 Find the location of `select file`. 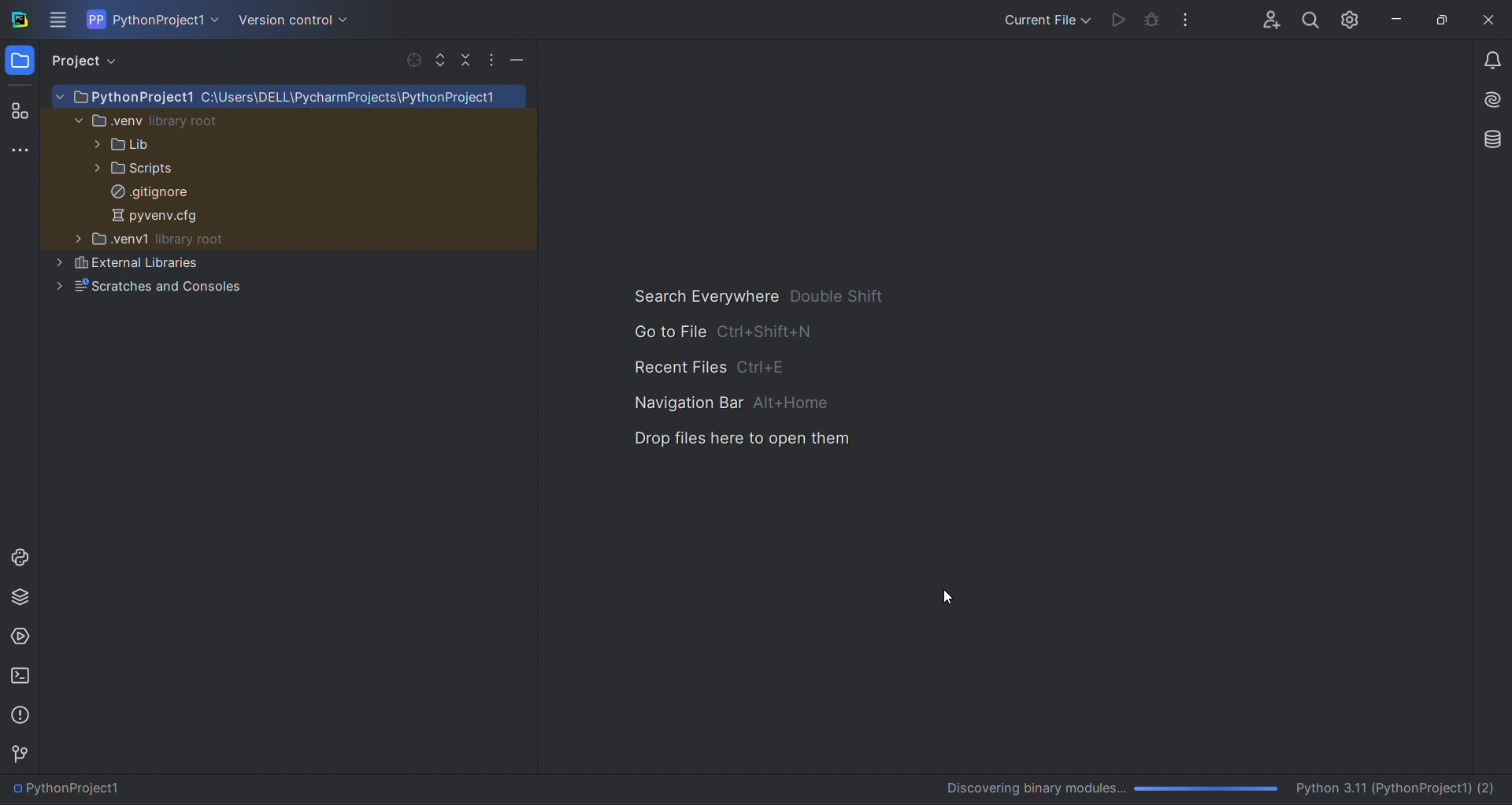

select file is located at coordinates (409, 60).